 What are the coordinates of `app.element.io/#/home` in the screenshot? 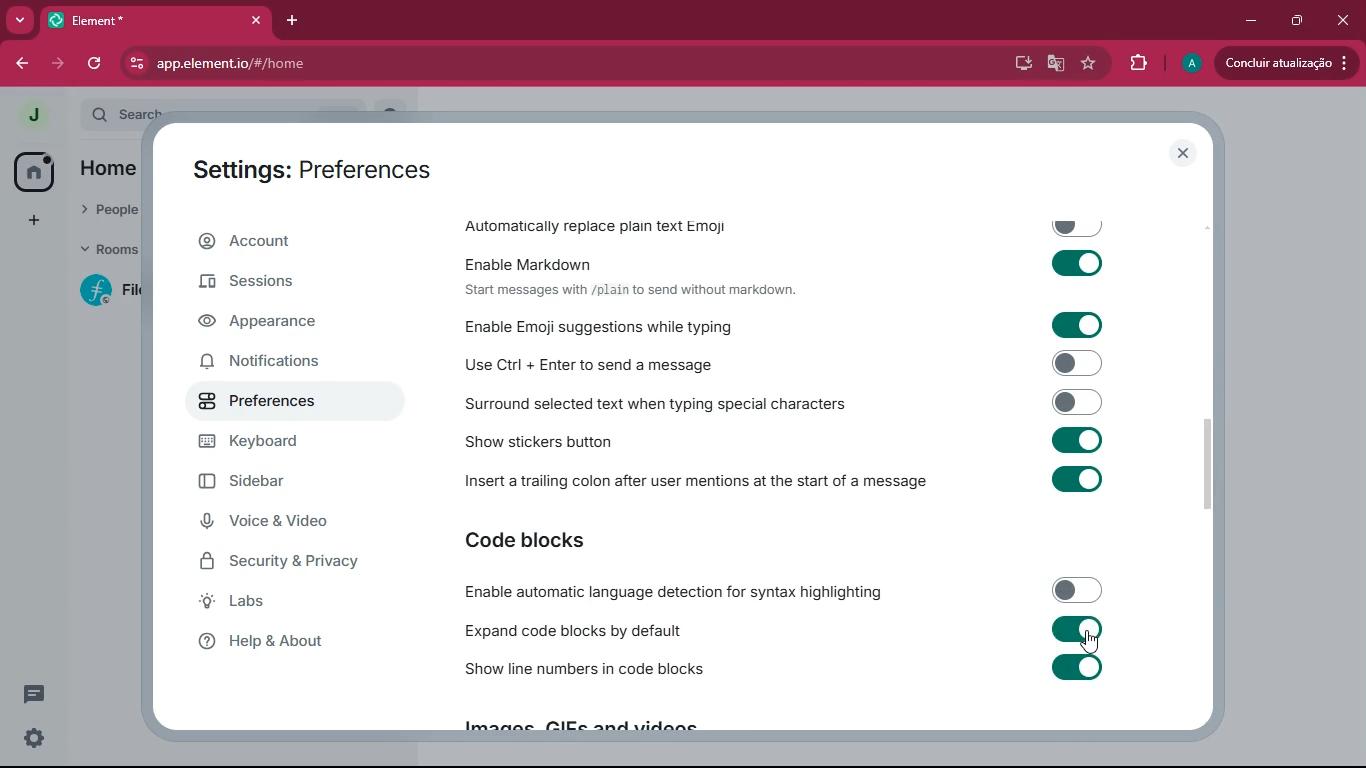 It's located at (318, 63).